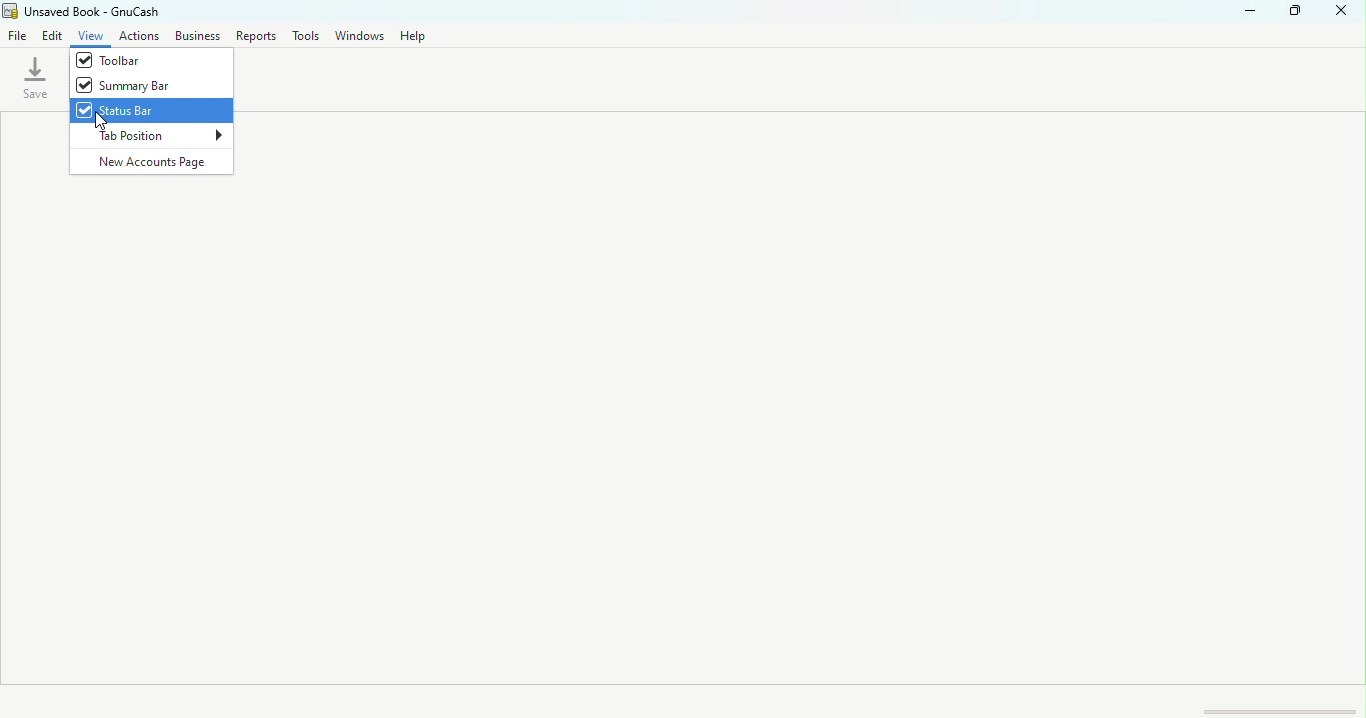 The image size is (1366, 718). What do you see at coordinates (40, 80) in the screenshot?
I see `save` at bounding box center [40, 80].